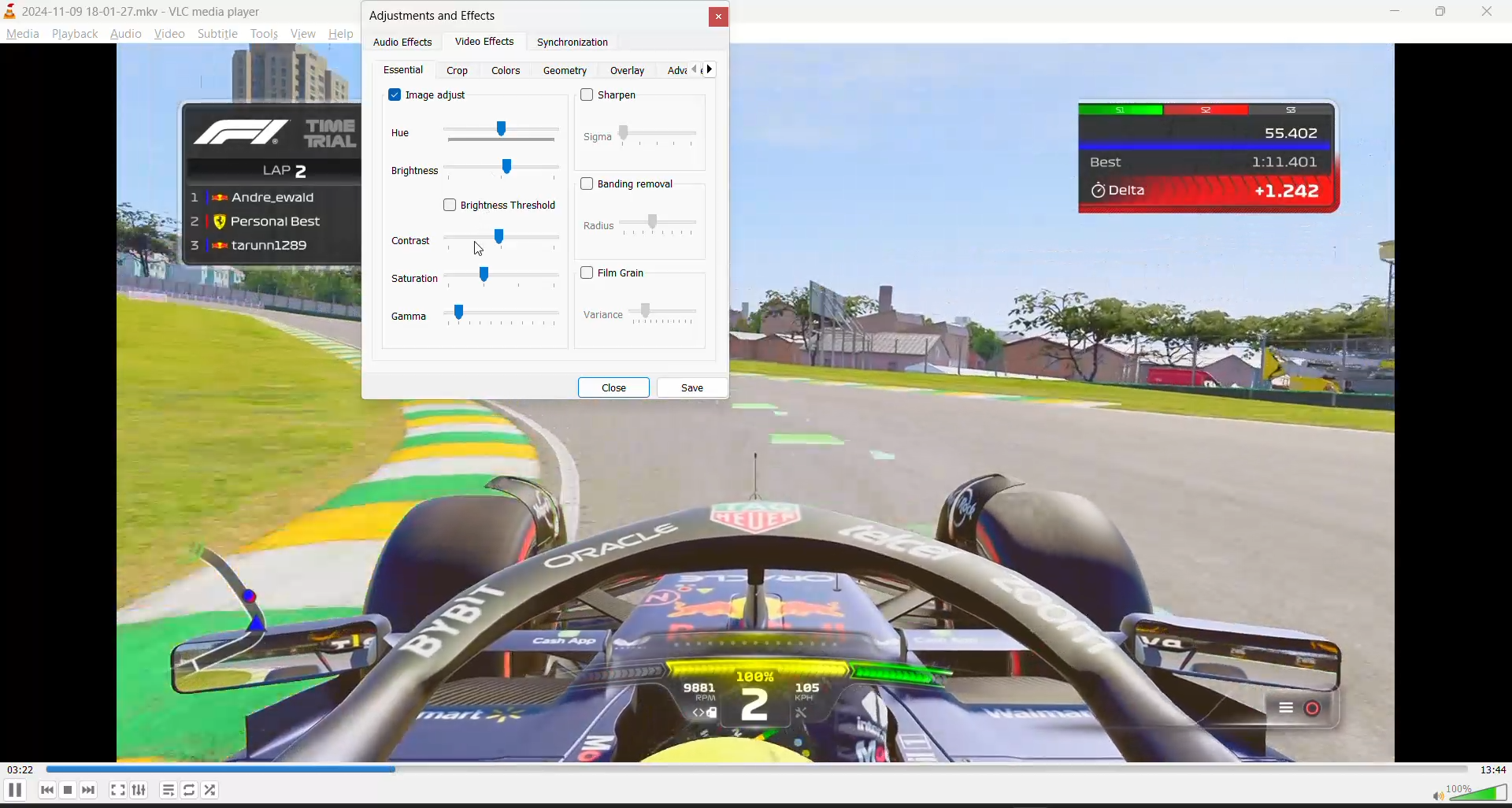 The height and width of the screenshot is (808, 1512). Describe the element at coordinates (430, 94) in the screenshot. I see `image adjust` at that location.